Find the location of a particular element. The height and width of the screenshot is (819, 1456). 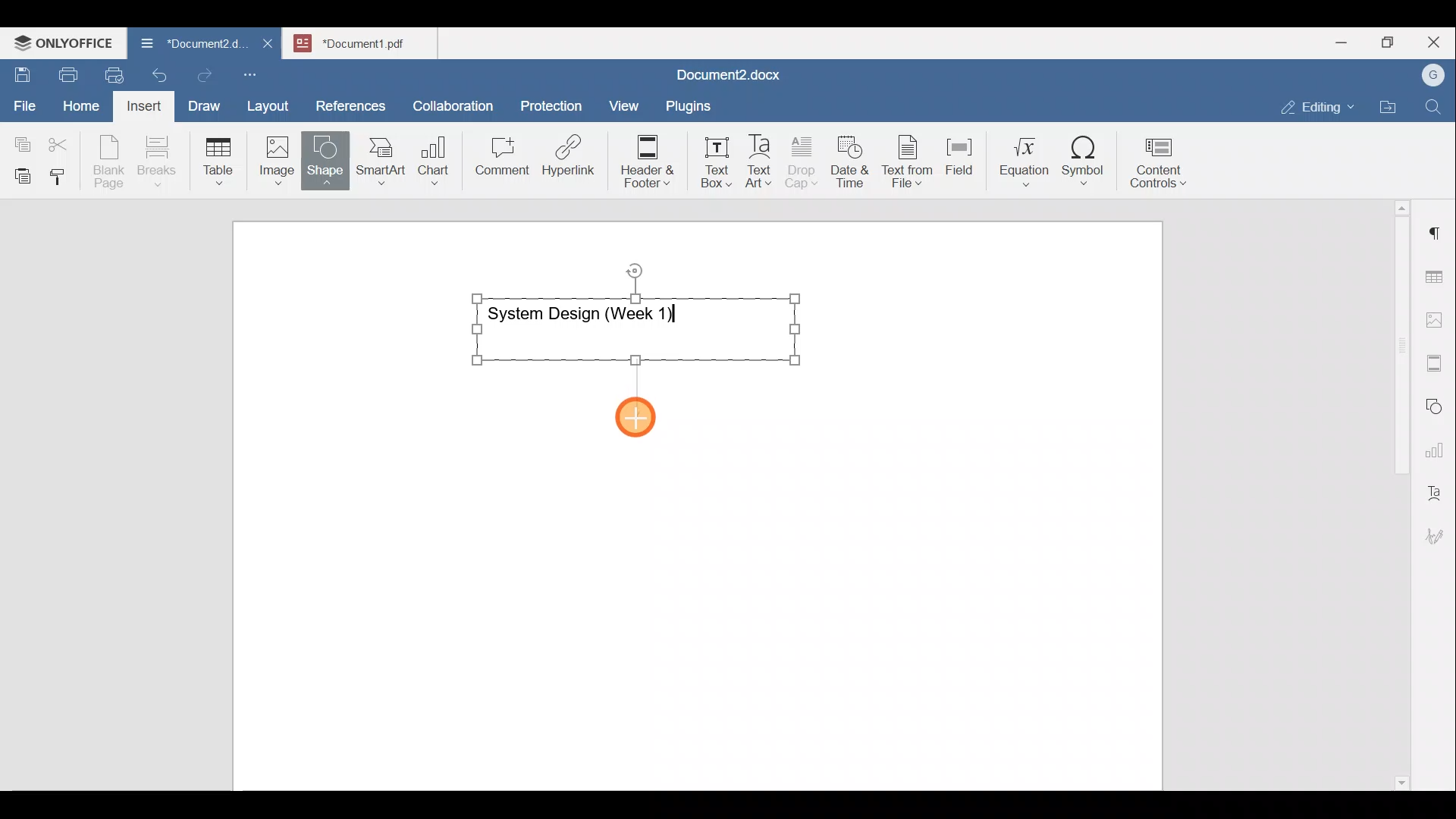

Minimize is located at coordinates (1341, 41).